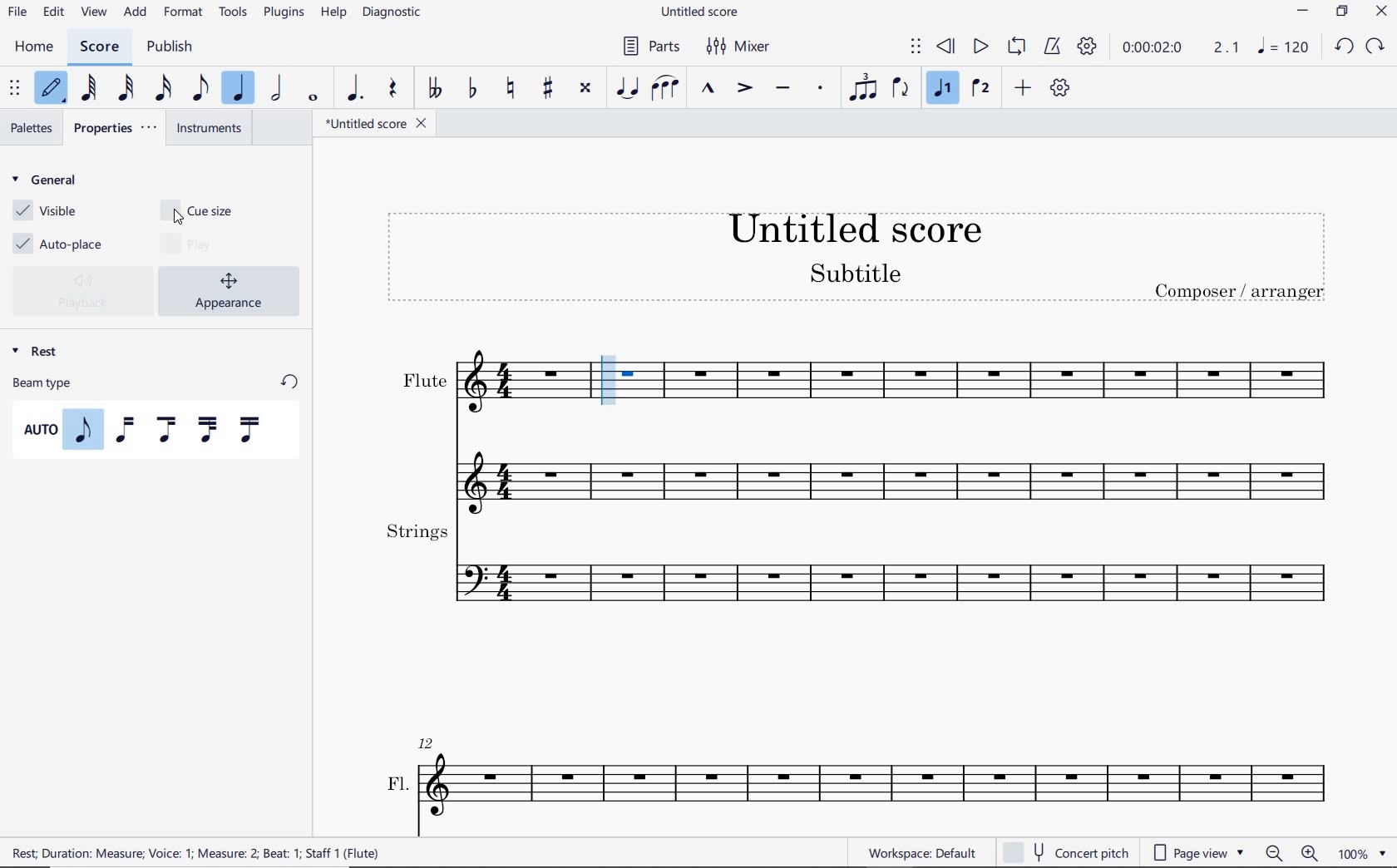 The width and height of the screenshot is (1397, 868). I want to click on tie, so click(627, 87).